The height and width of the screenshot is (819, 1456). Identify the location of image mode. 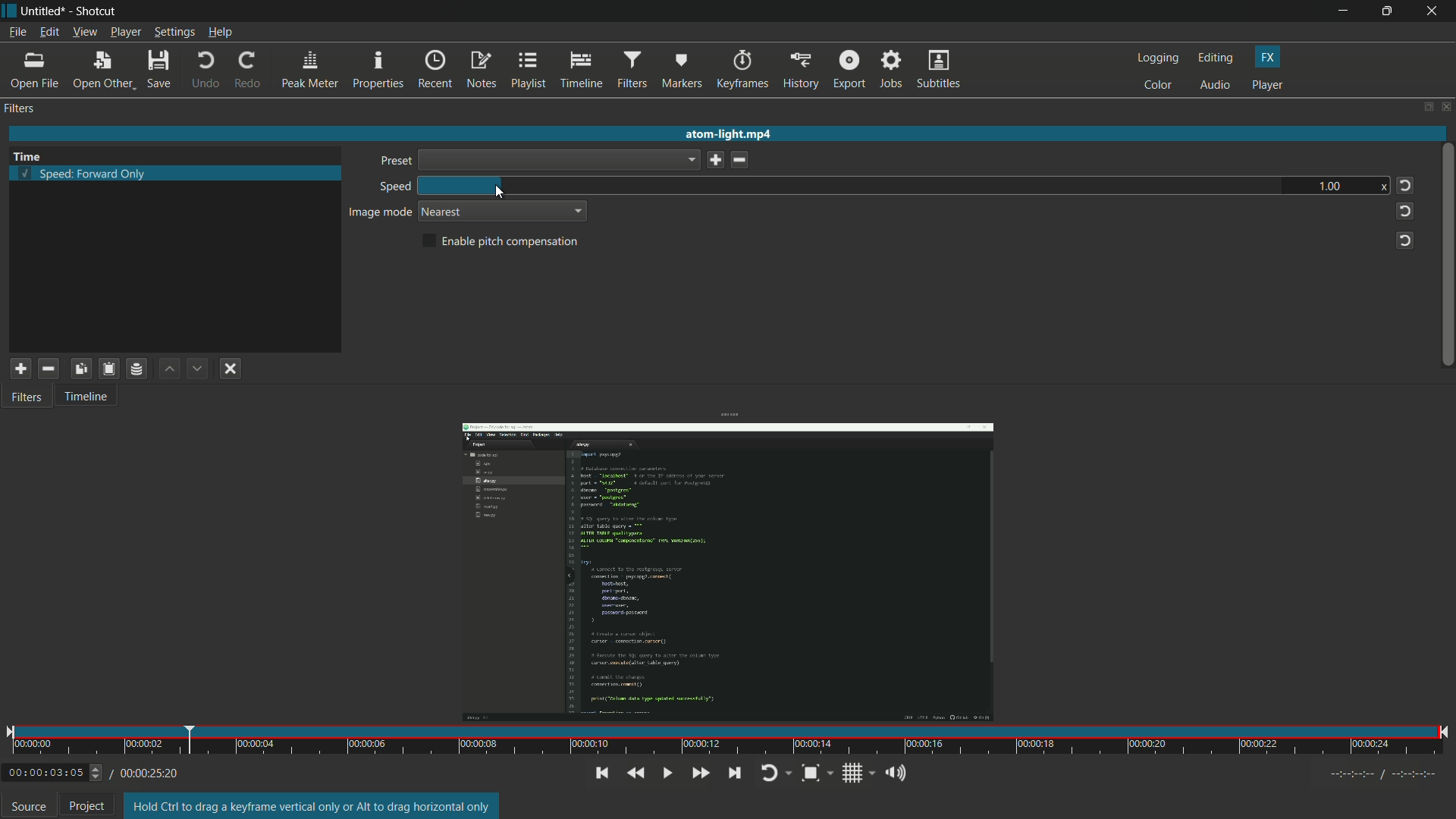
(380, 213).